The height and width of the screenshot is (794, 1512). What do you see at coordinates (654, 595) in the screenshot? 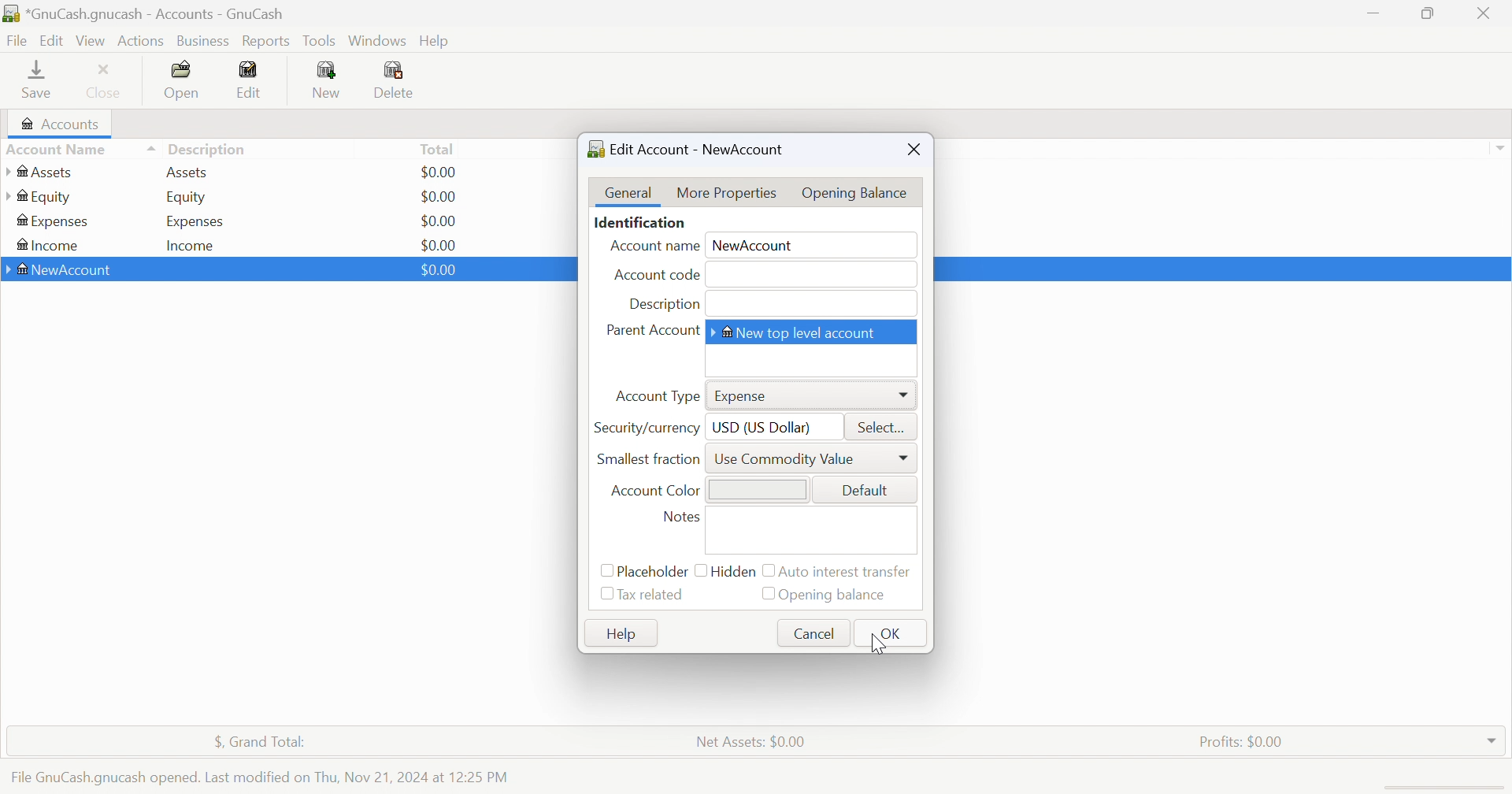
I see `Tax related` at bounding box center [654, 595].